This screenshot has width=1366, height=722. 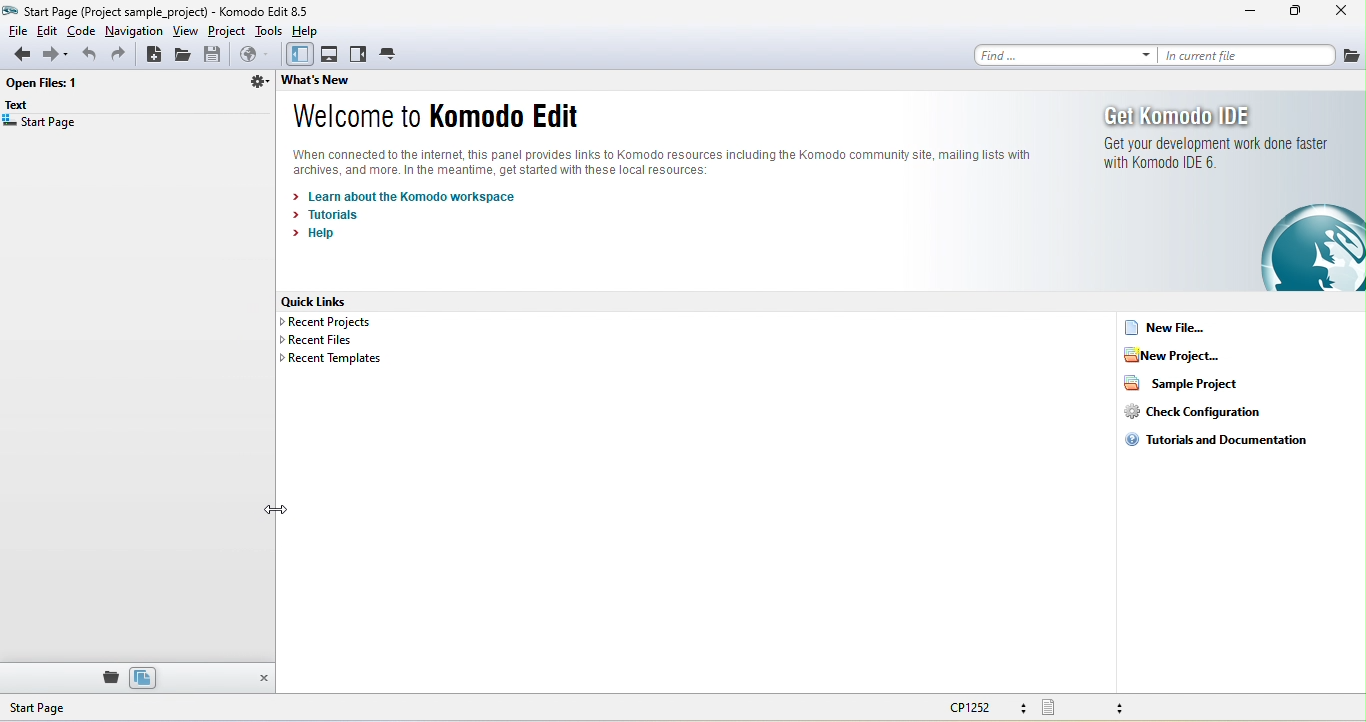 What do you see at coordinates (154, 55) in the screenshot?
I see `new` at bounding box center [154, 55].